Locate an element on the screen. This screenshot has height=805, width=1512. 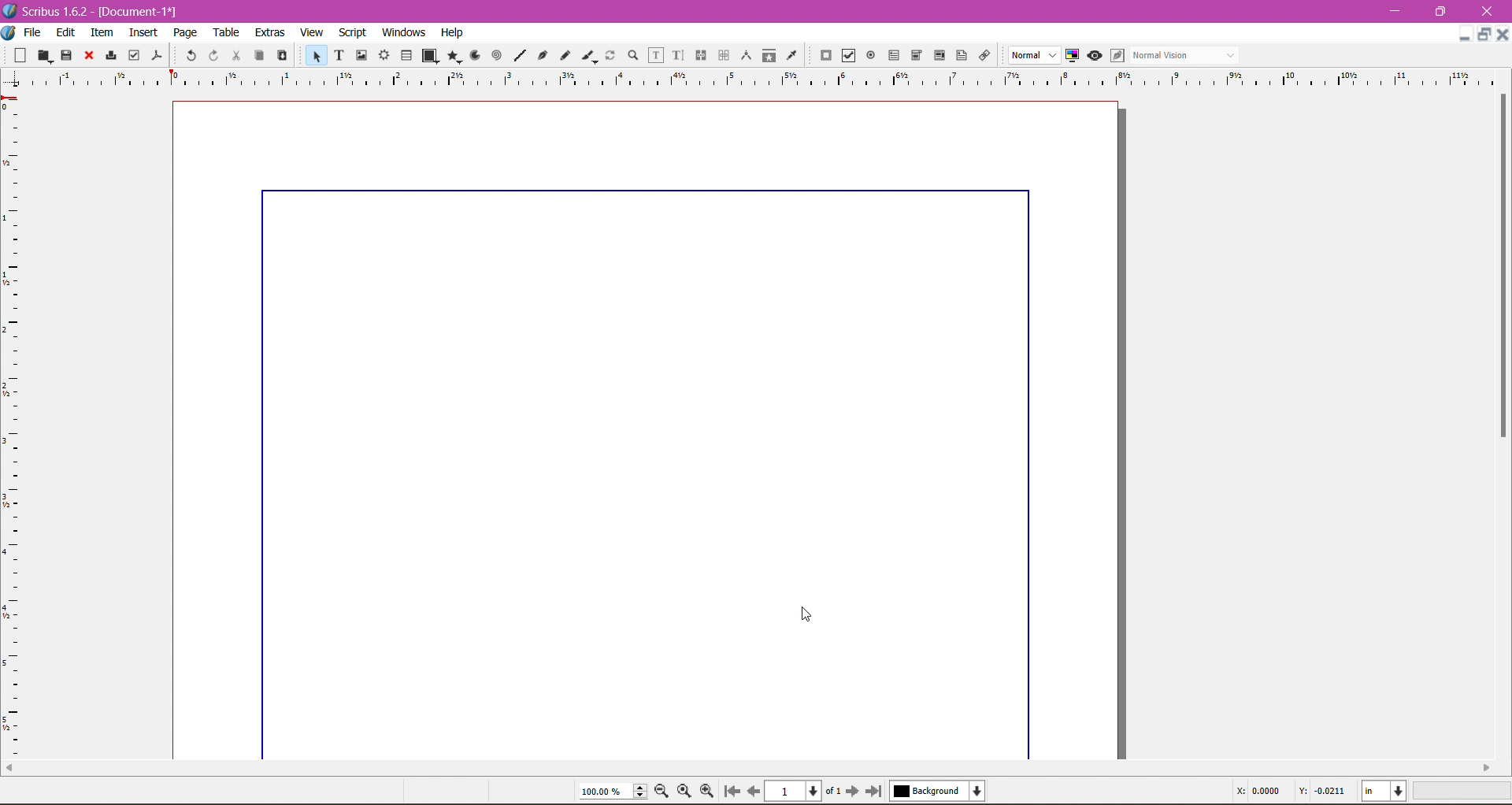
Link Text Frames is located at coordinates (699, 55).